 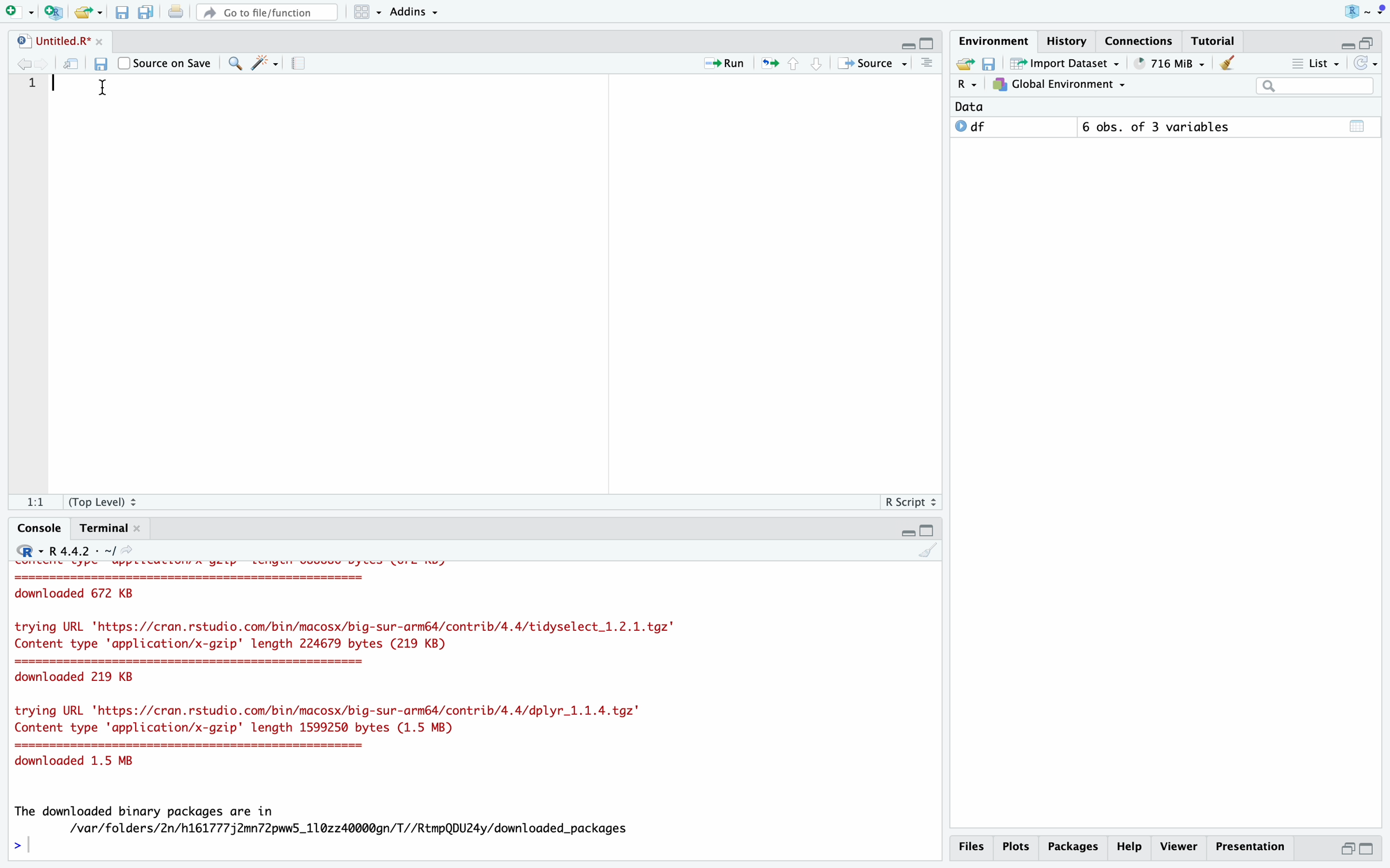 What do you see at coordinates (906, 44) in the screenshot?
I see `Hide` at bounding box center [906, 44].